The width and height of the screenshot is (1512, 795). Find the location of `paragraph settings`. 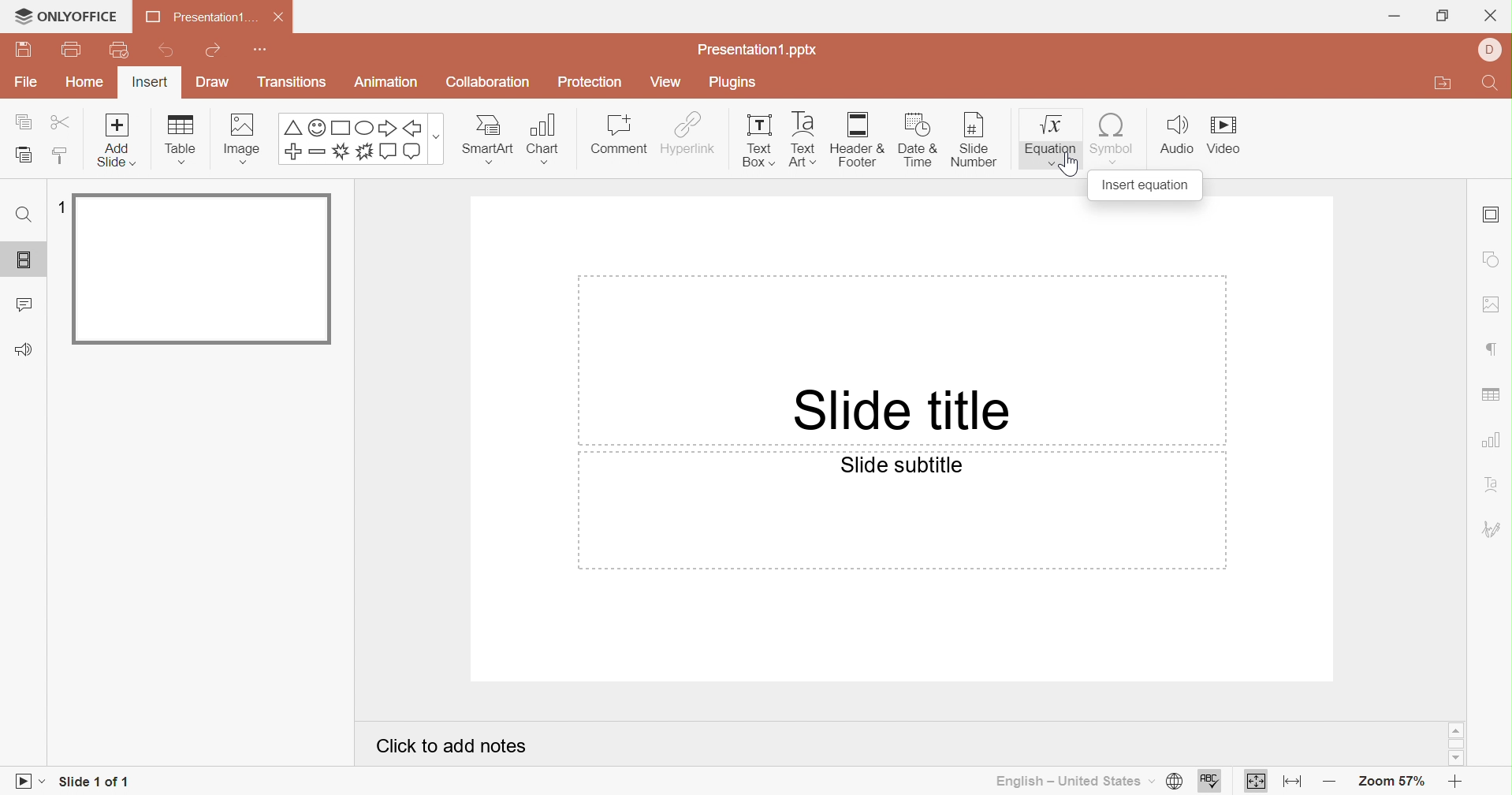

paragraph settings is located at coordinates (1490, 348).